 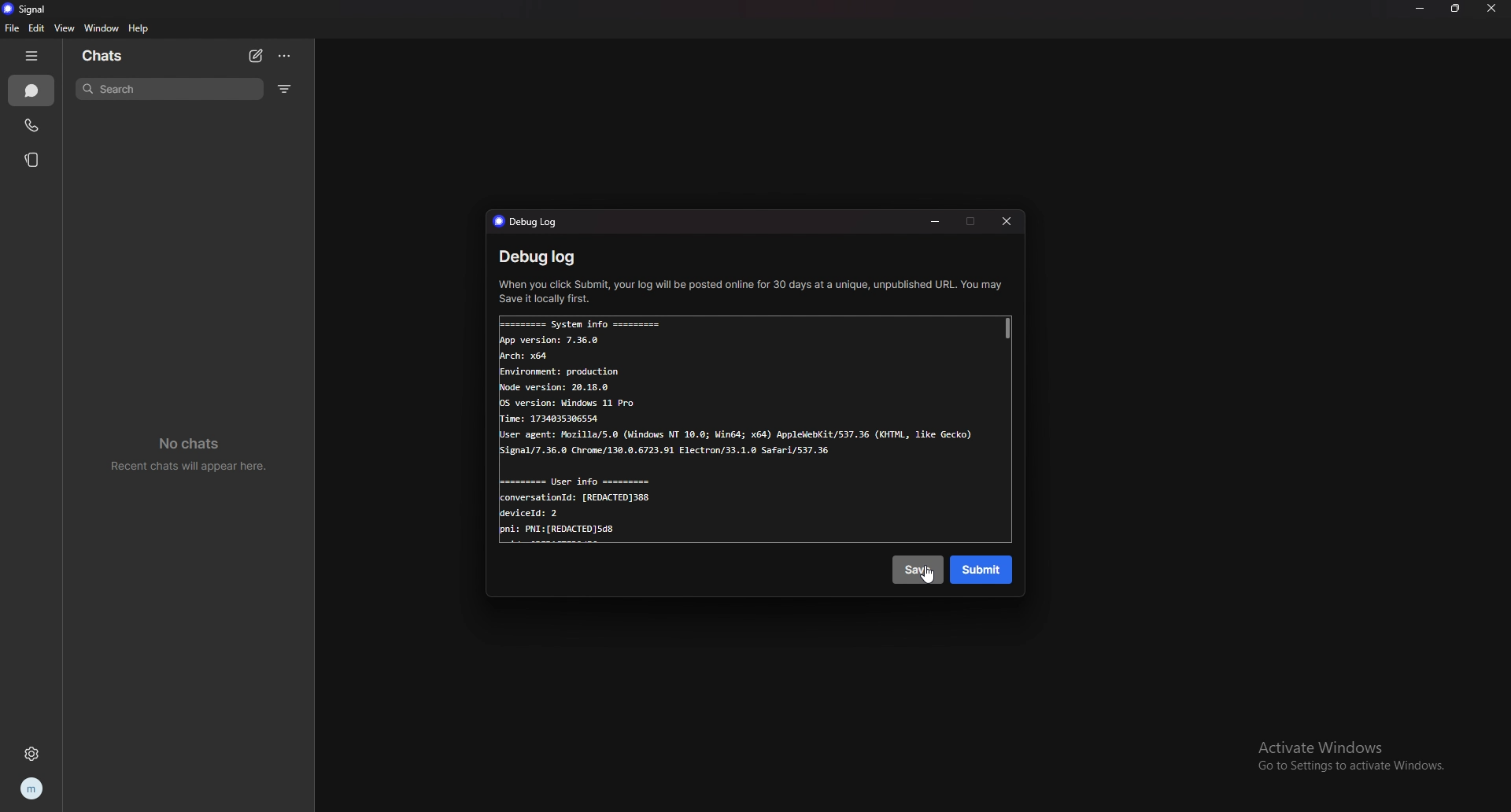 What do you see at coordinates (33, 754) in the screenshot?
I see `settings` at bounding box center [33, 754].